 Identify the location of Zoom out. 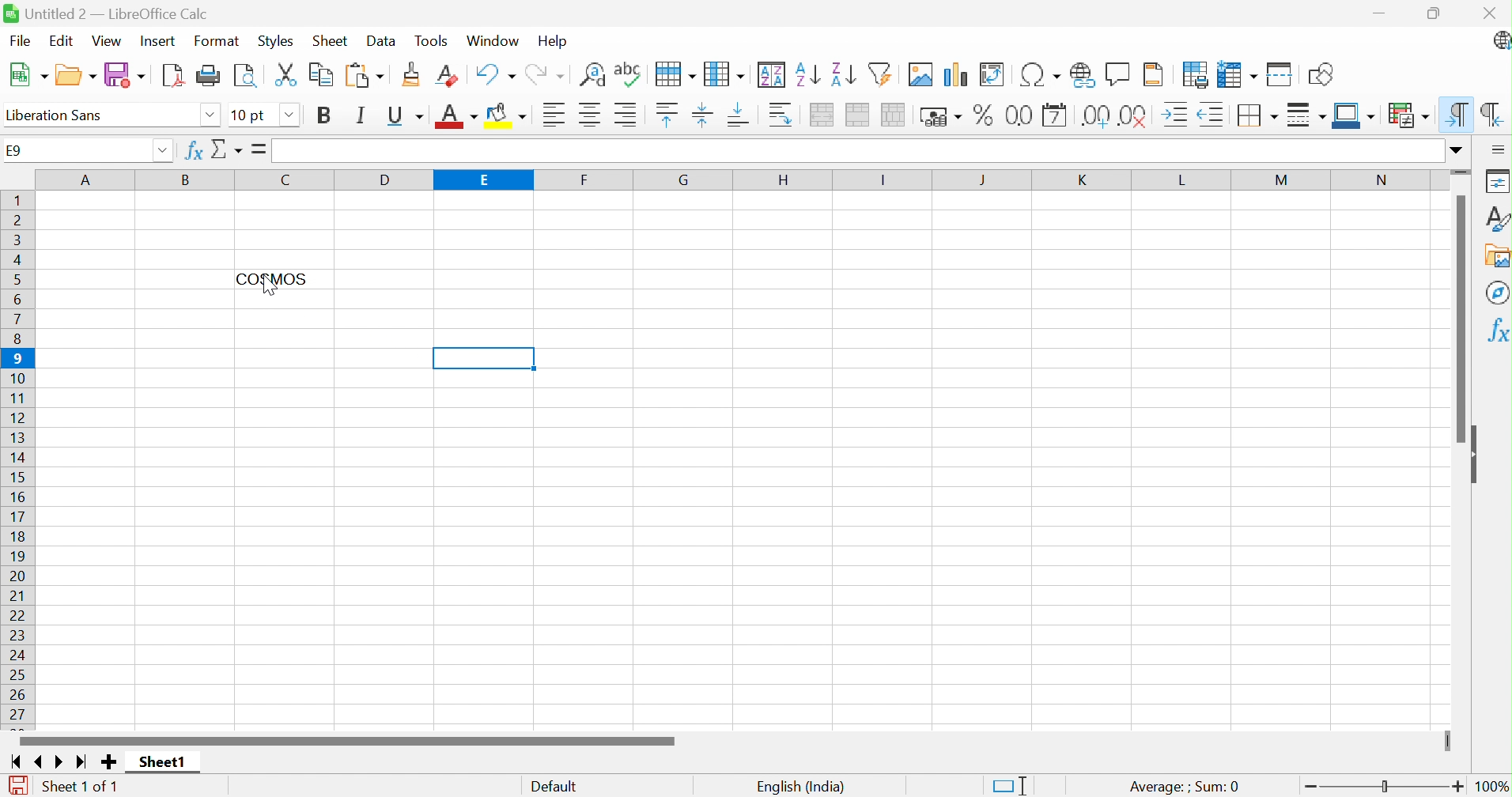
(1306, 786).